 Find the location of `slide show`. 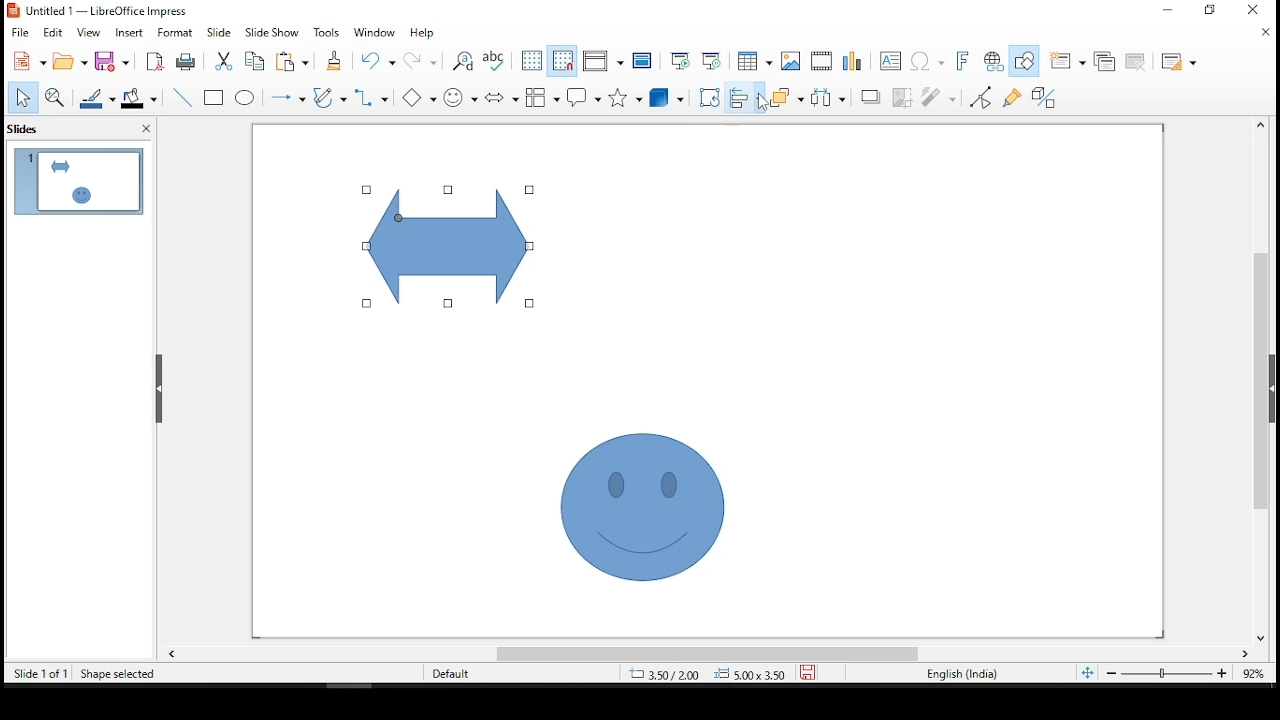

slide show is located at coordinates (275, 33).